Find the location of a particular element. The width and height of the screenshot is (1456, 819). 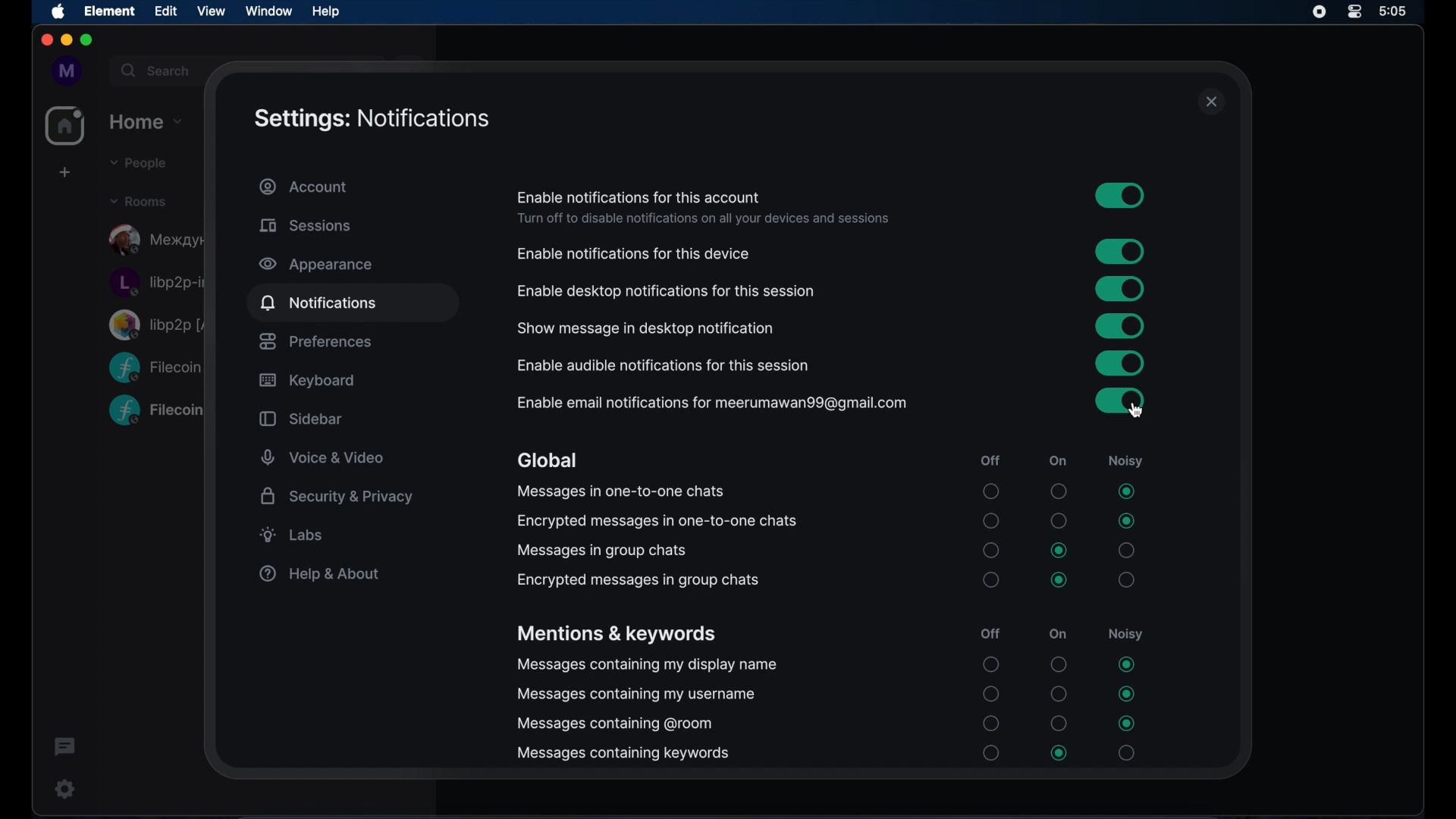

settings is located at coordinates (61, 789).